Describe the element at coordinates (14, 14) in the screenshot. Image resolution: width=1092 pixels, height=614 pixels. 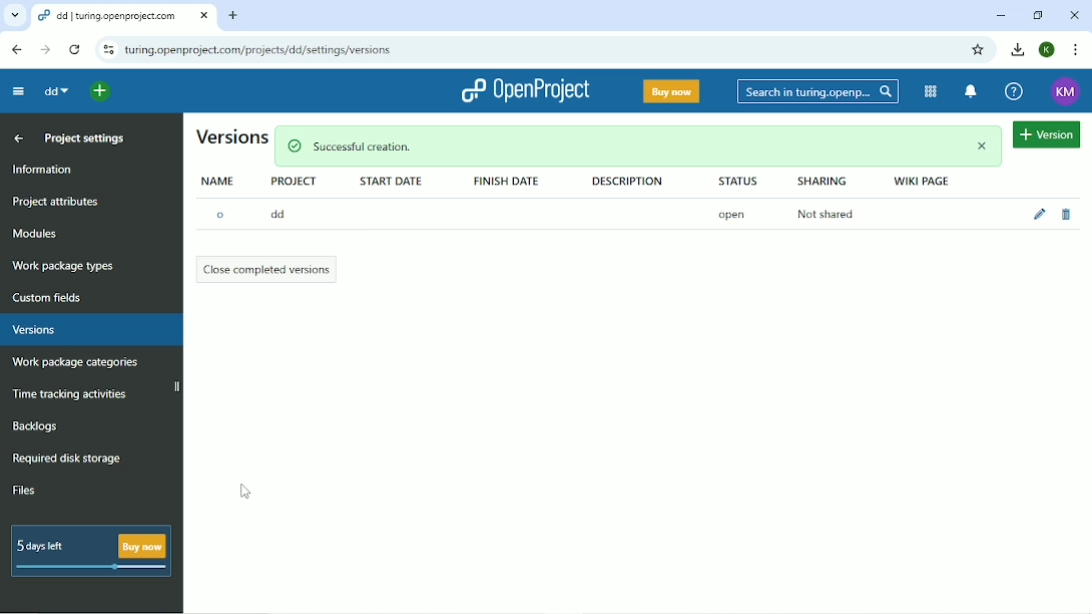
I see `Search tabs` at that location.